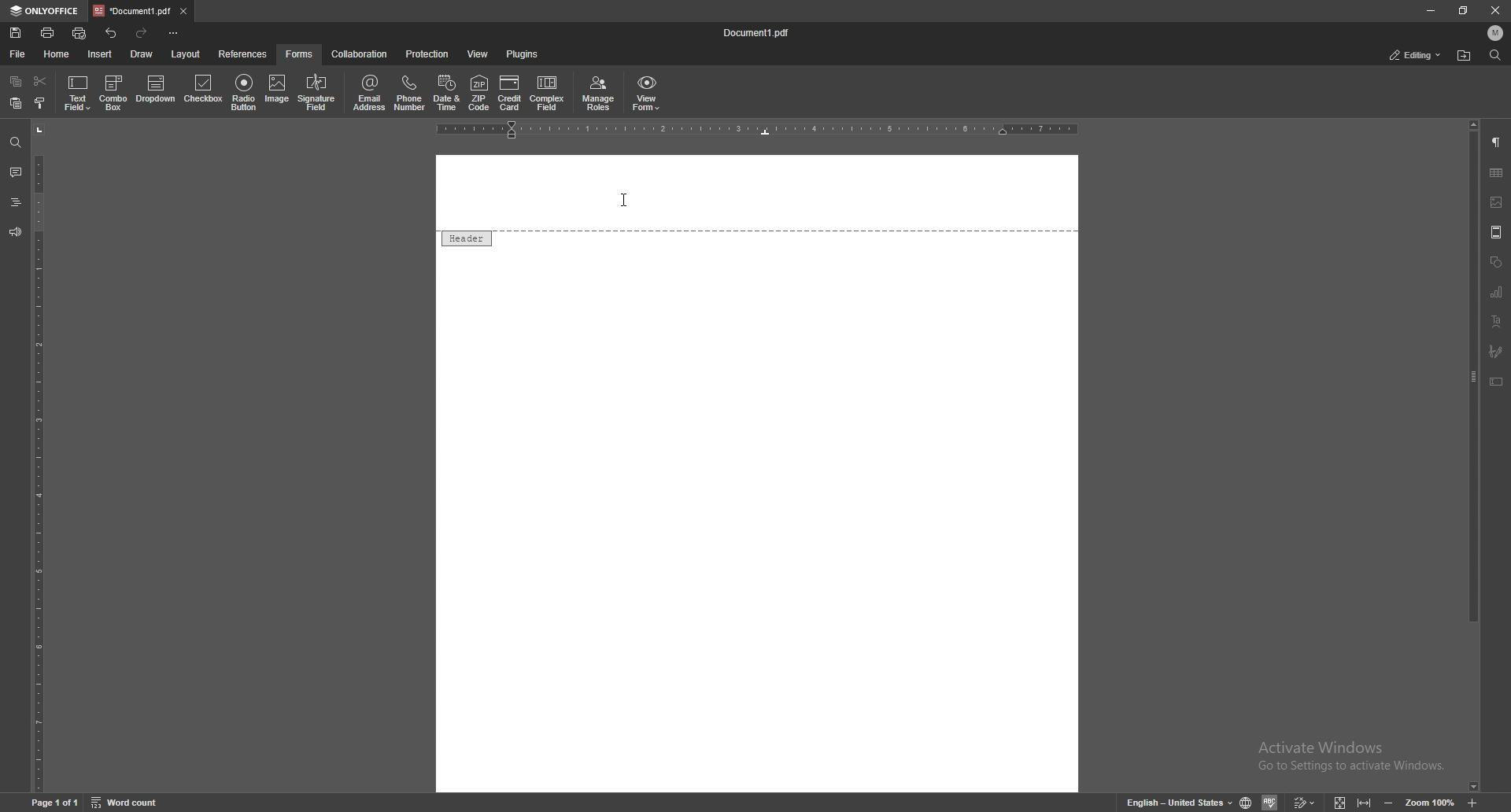 The height and width of the screenshot is (812, 1511). What do you see at coordinates (1496, 260) in the screenshot?
I see `shapes` at bounding box center [1496, 260].